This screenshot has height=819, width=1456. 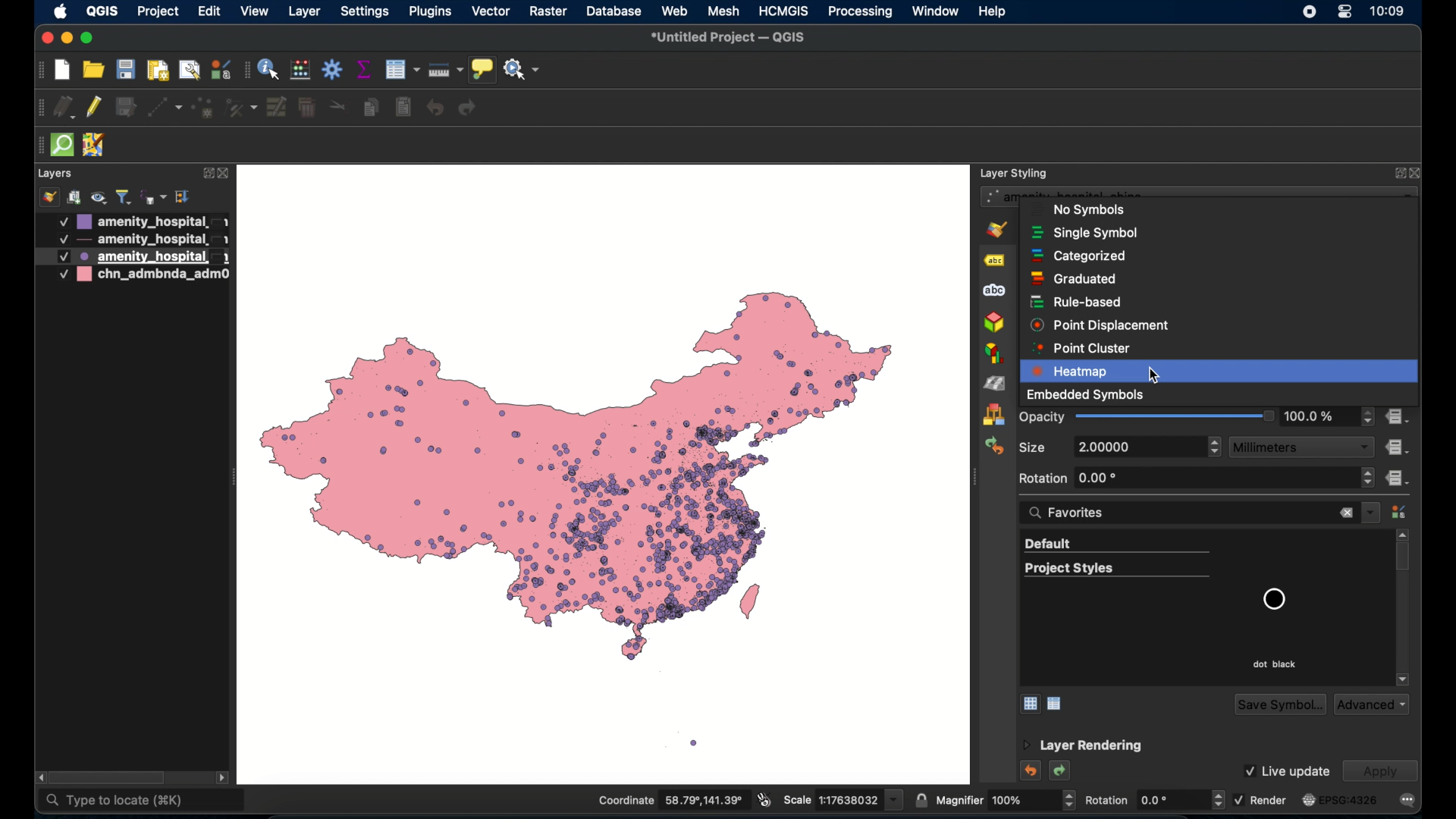 What do you see at coordinates (93, 70) in the screenshot?
I see `open project` at bounding box center [93, 70].